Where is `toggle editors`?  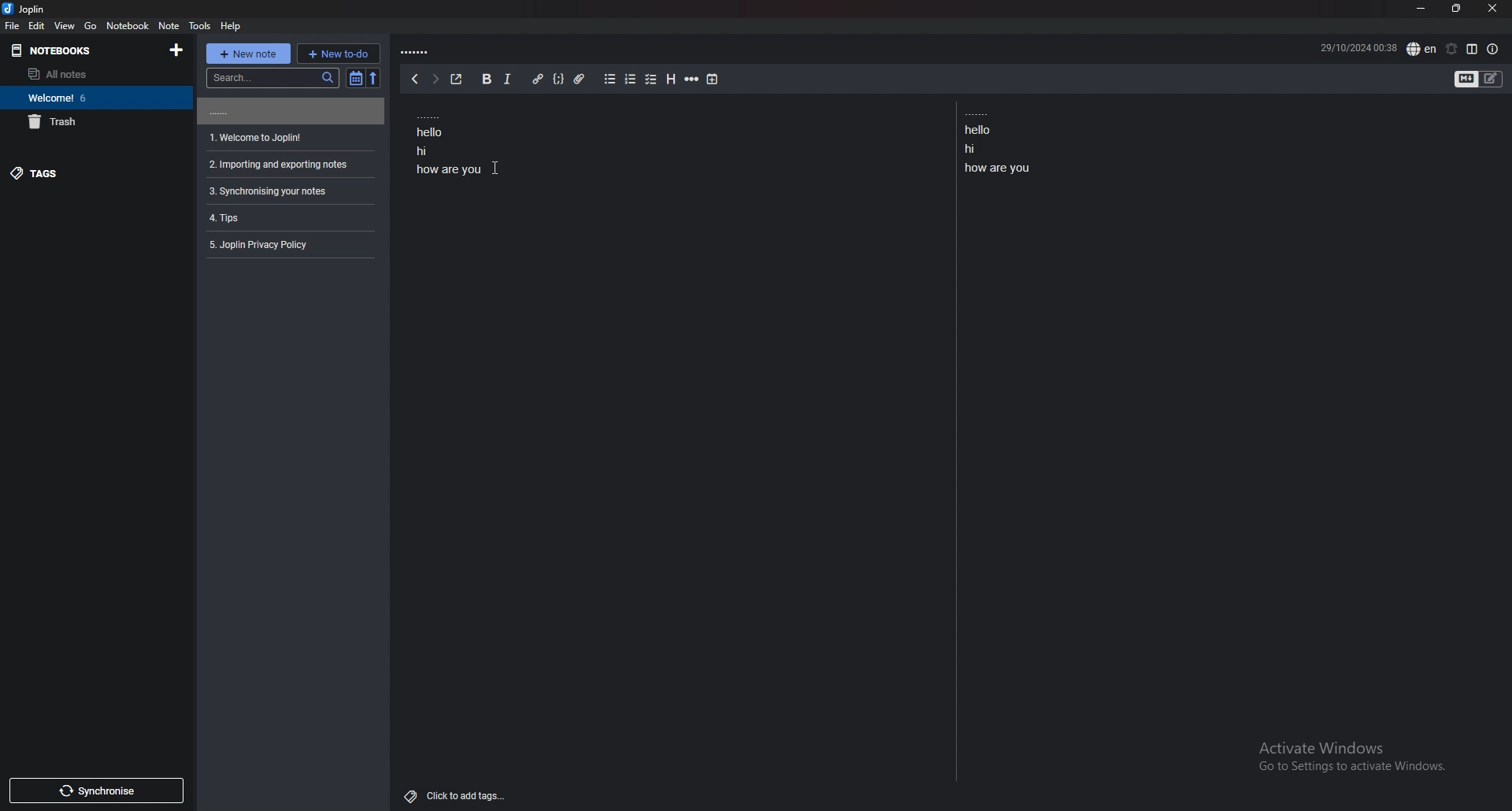
toggle editors is located at coordinates (1467, 80).